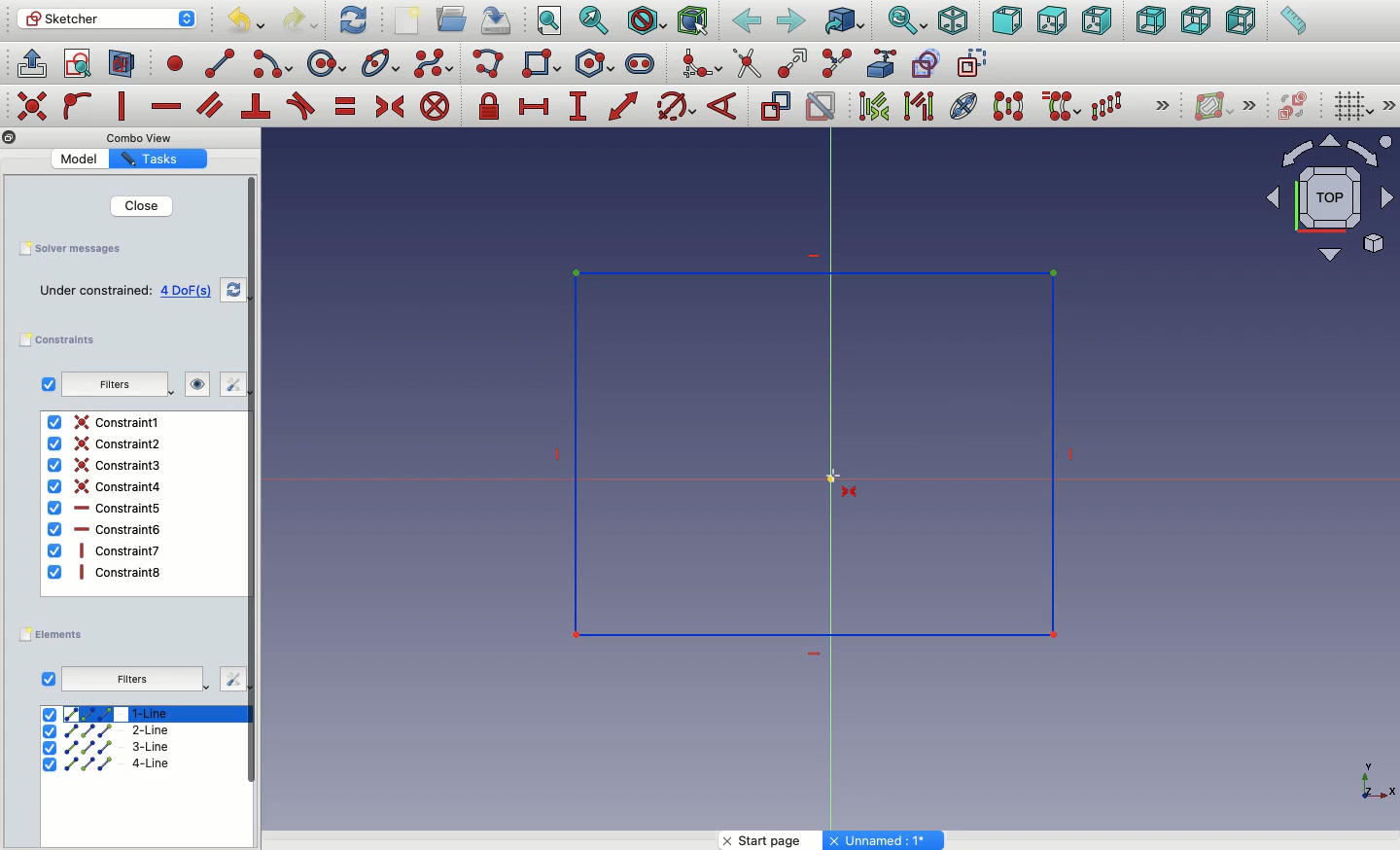 The image size is (1400, 850). Describe the element at coordinates (274, 64) in the screenshot. I see `arc` at that location.